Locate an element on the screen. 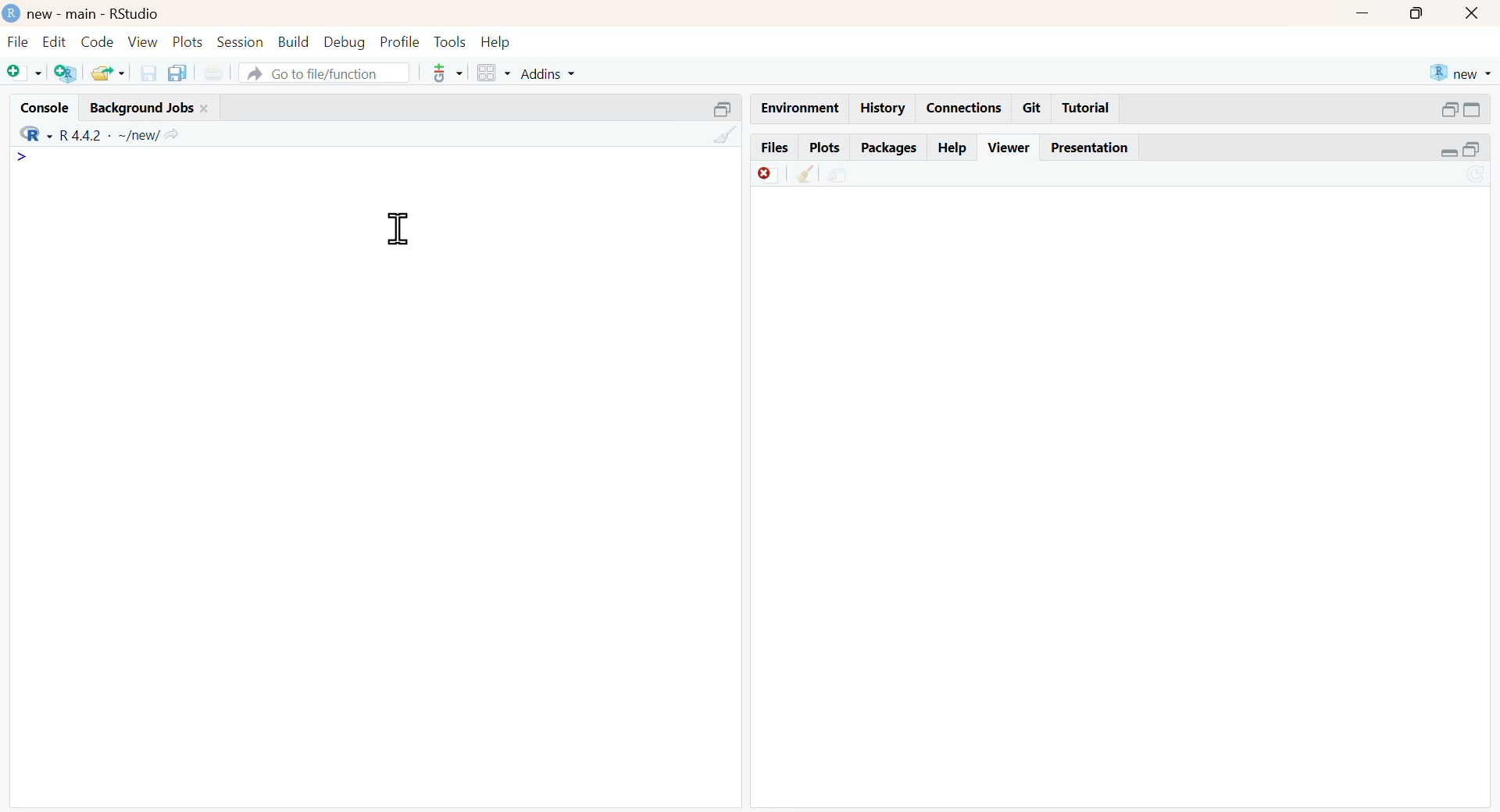 This screenshot has width=1500, height=812. Addins + is located at coordinates (548, 74).